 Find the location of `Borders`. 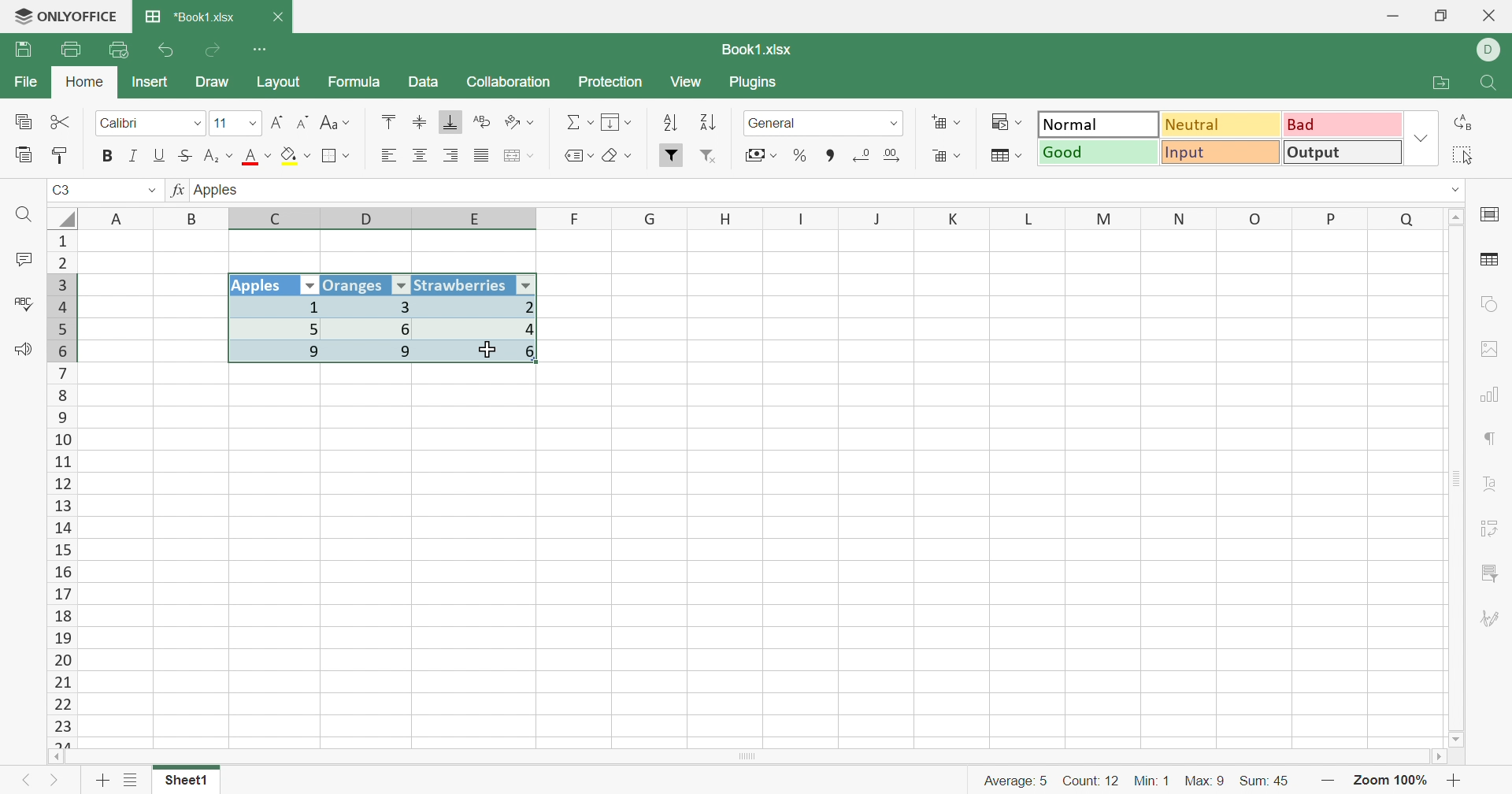

Borders is located at coordinates (336, 156).